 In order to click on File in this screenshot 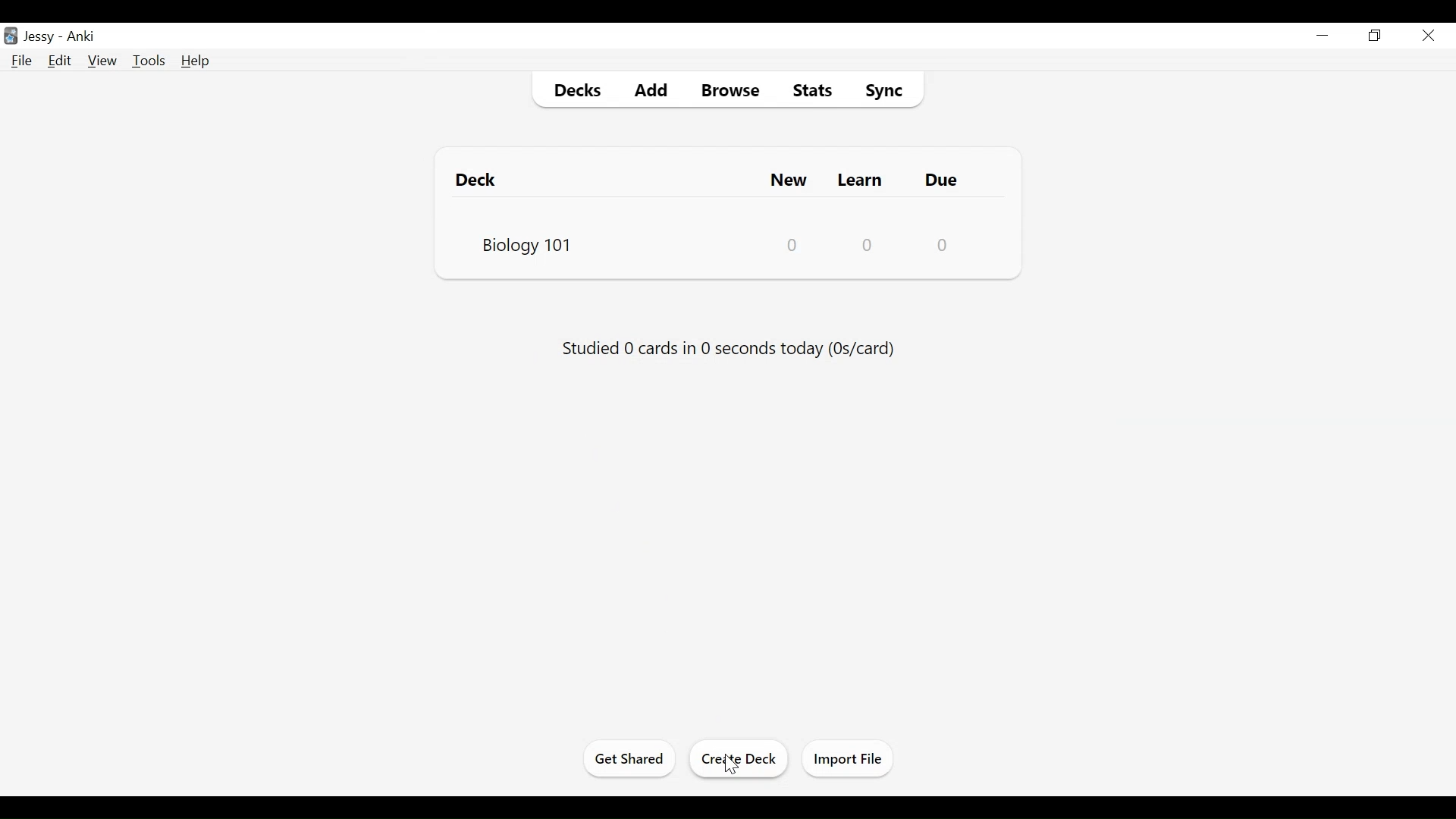, I will do `click(24, 61)`.